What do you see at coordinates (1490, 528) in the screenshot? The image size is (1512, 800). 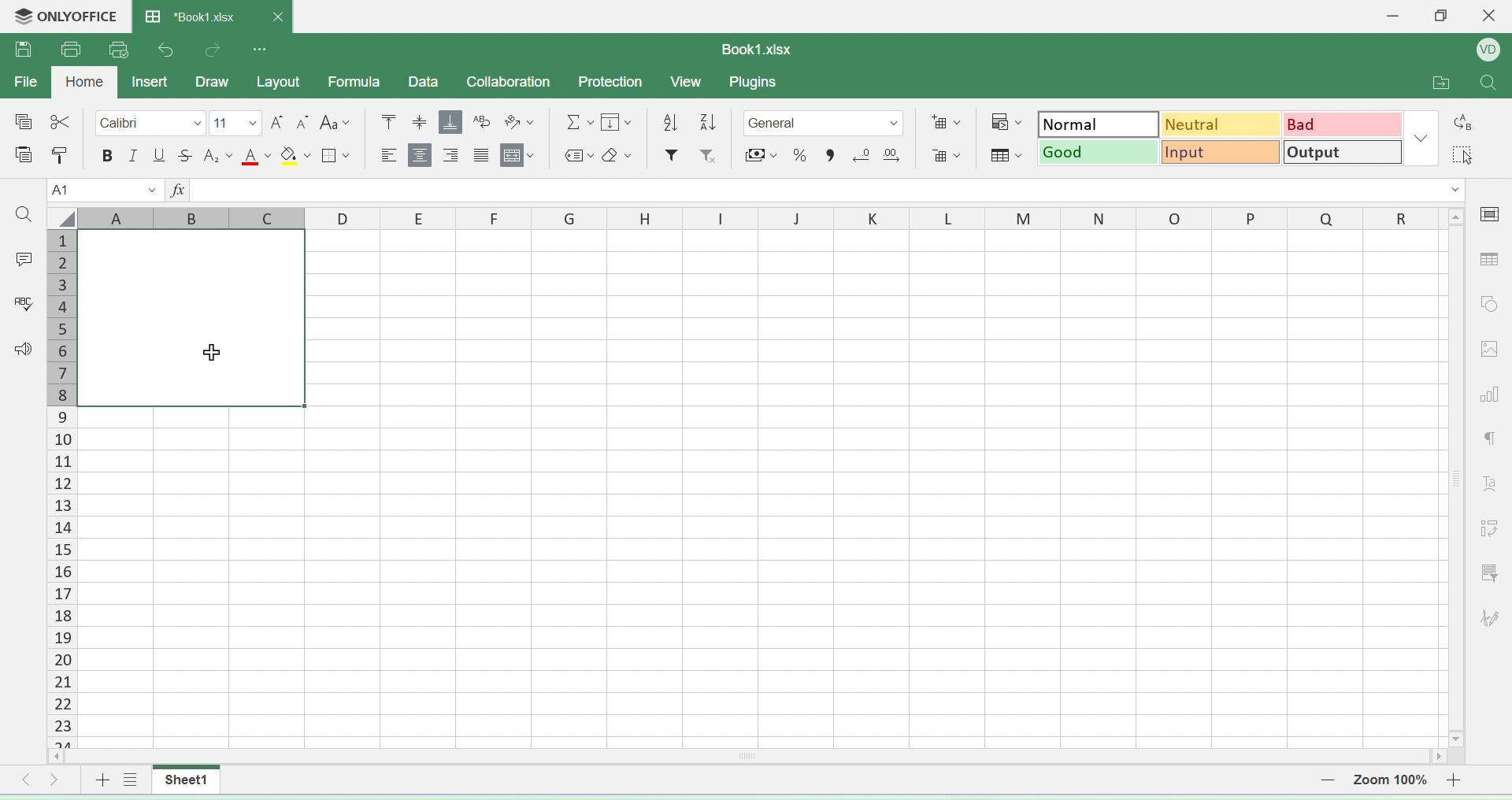 I see `adjust cells` at bounding box center [1490, 528].